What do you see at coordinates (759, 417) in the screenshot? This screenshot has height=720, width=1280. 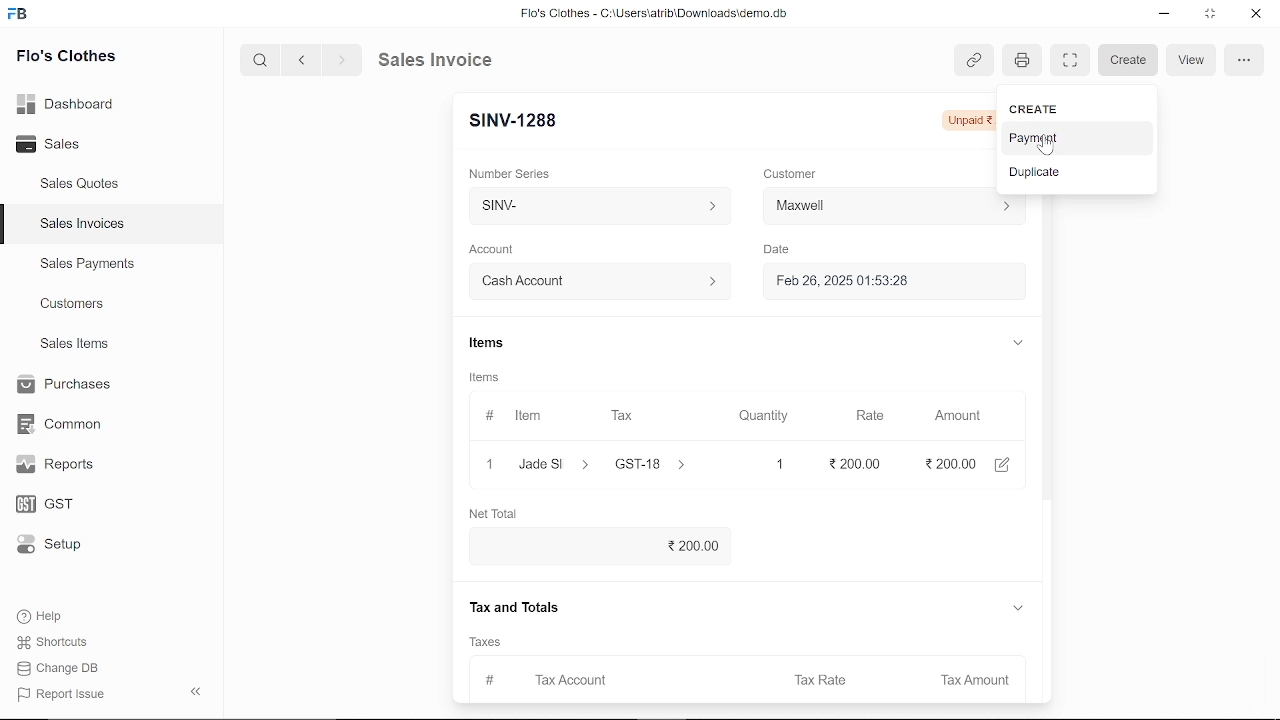 I see `Quantity` at bounding box center [759, 417].